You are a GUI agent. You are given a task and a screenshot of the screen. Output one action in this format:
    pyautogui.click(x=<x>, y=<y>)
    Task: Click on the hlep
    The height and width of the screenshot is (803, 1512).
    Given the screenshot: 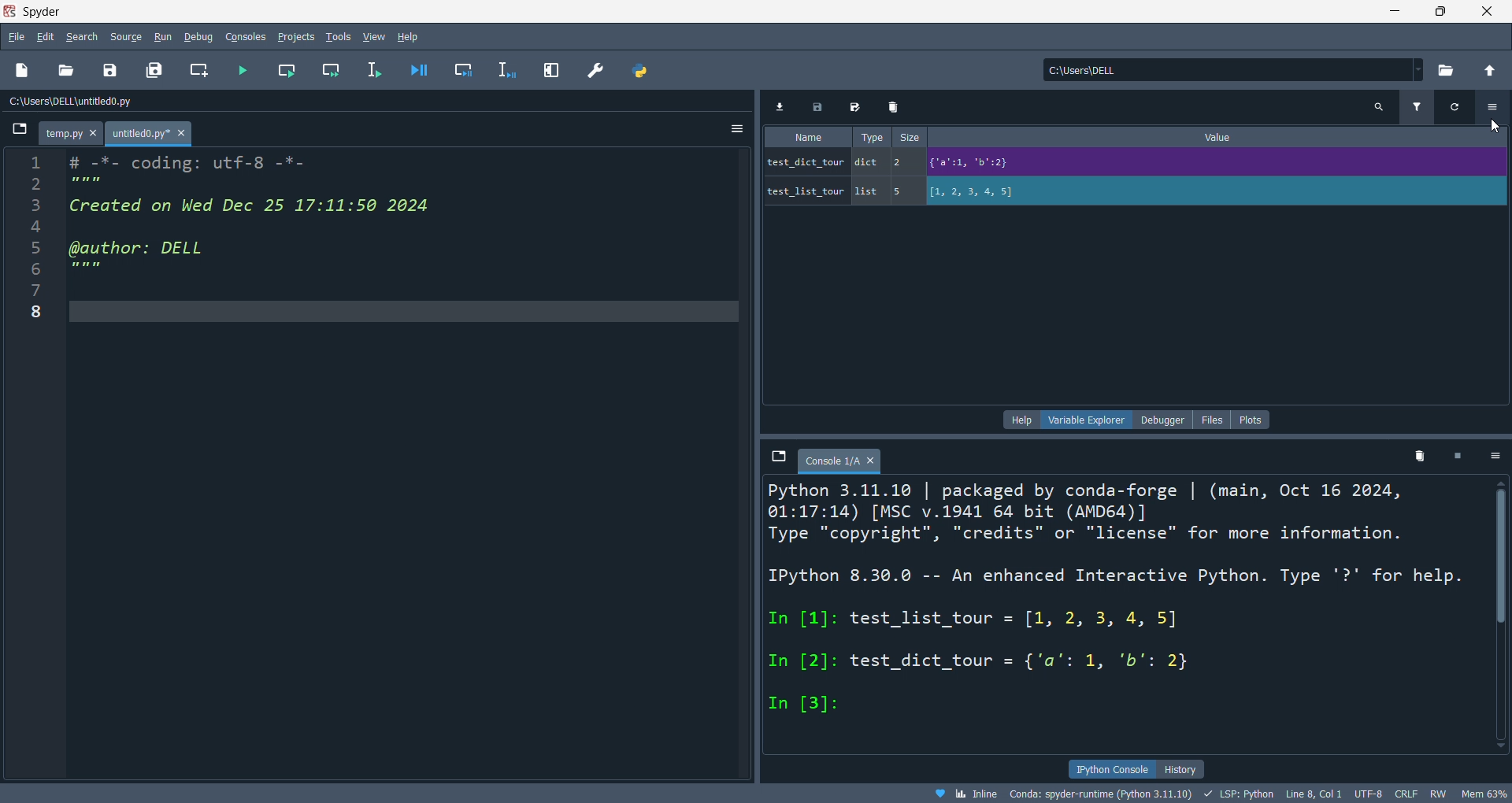 What is the action you would take?
    pyautogui.click(x=409, y=34)
    